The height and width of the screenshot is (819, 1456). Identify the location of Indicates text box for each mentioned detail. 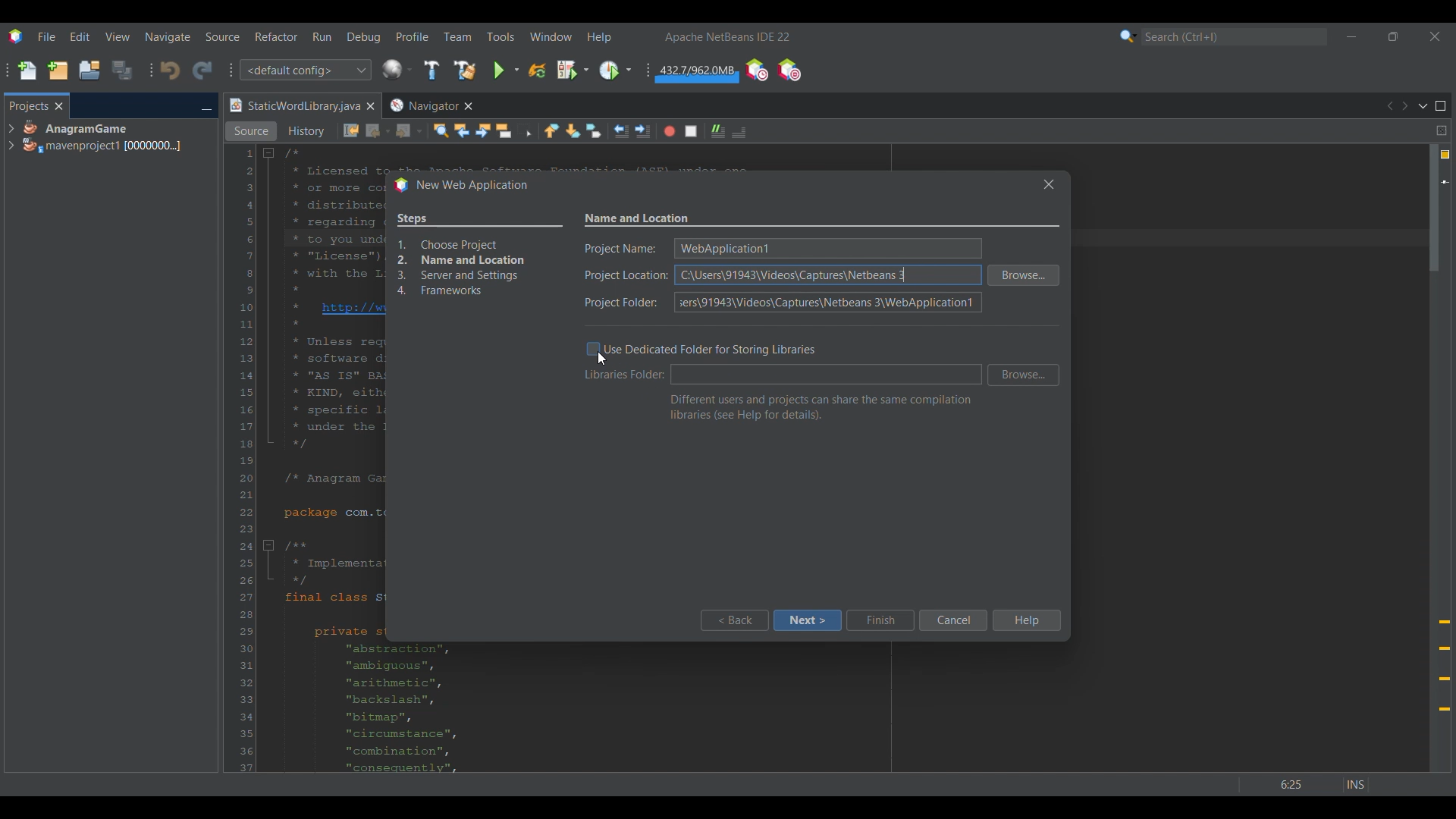
(626, 276).